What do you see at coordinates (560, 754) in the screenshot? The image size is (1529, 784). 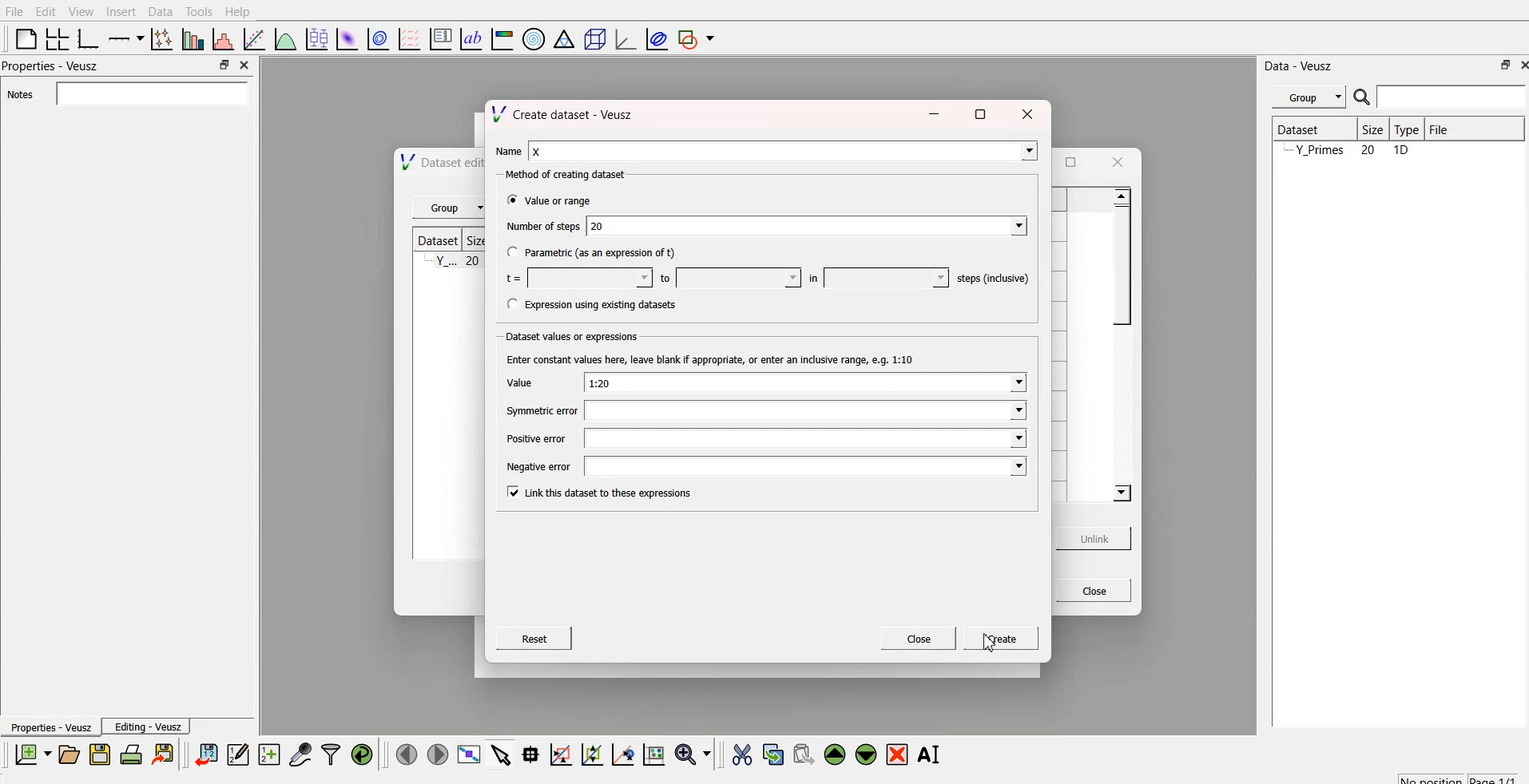 I see `draw rectangle to zoom` at bounding box center [560, 754].